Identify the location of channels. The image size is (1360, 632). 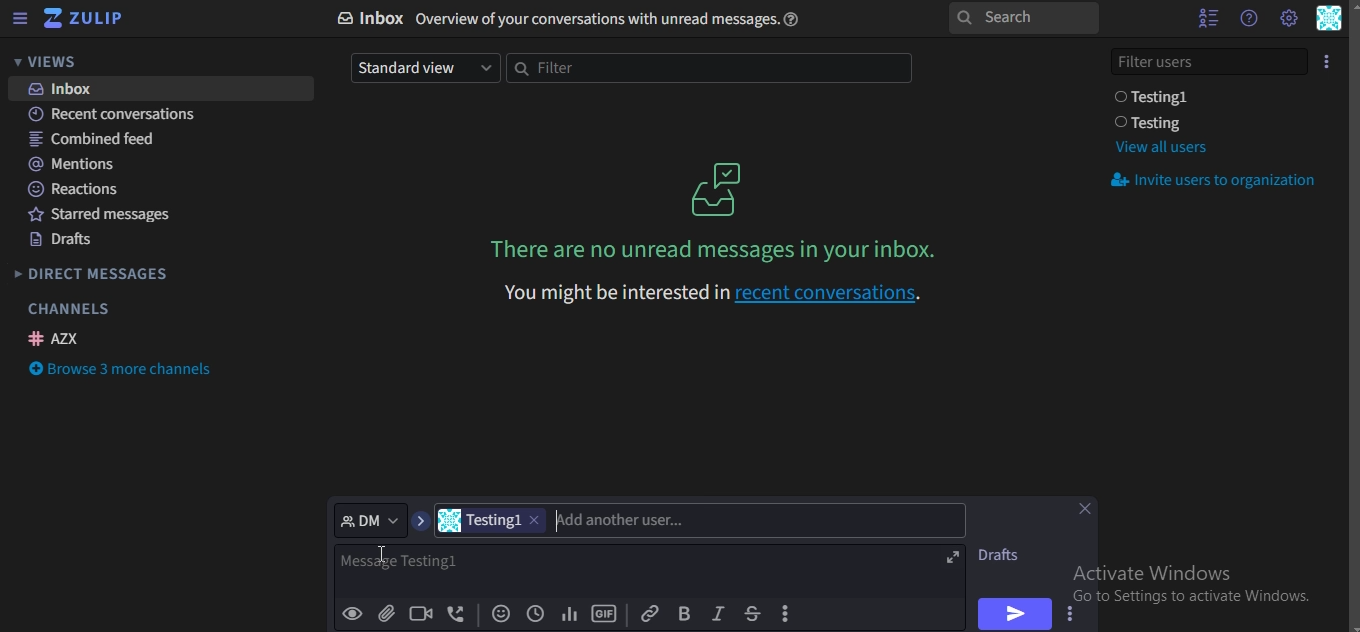
(68, 309).